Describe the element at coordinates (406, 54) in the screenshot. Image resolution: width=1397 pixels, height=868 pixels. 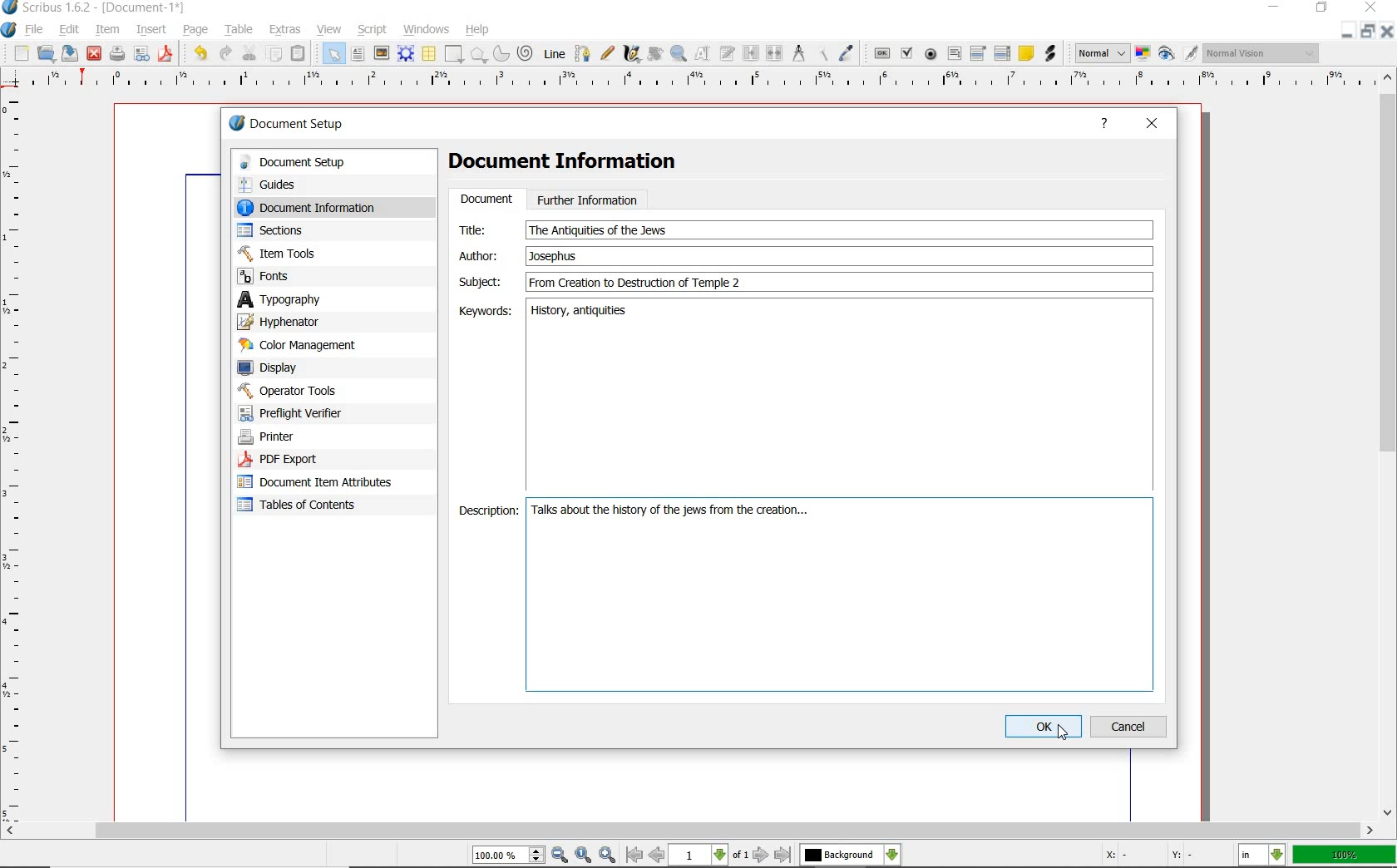
I see `render frame` at that location.